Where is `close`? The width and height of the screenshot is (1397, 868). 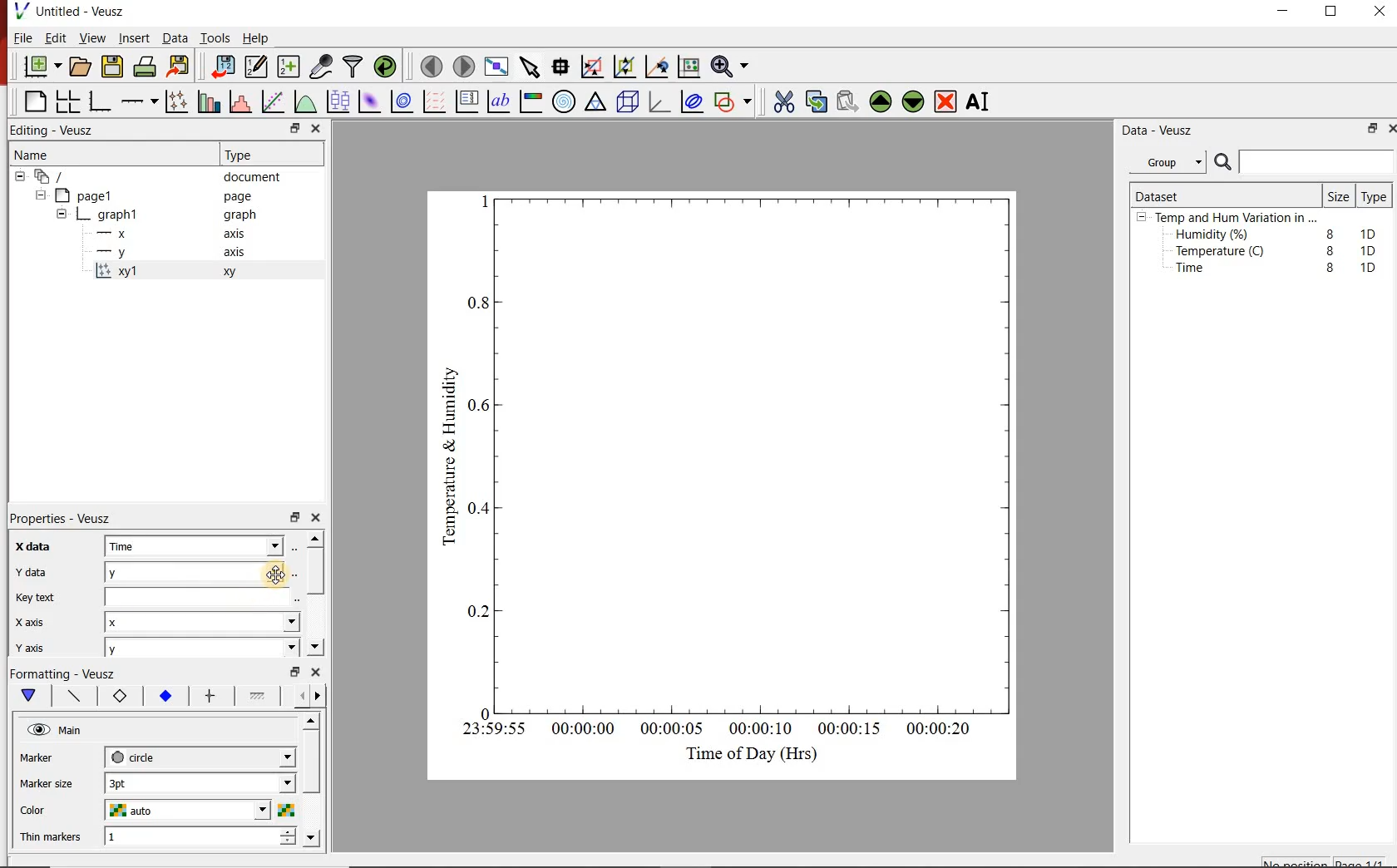 close is located at coordinates (1380, 12).